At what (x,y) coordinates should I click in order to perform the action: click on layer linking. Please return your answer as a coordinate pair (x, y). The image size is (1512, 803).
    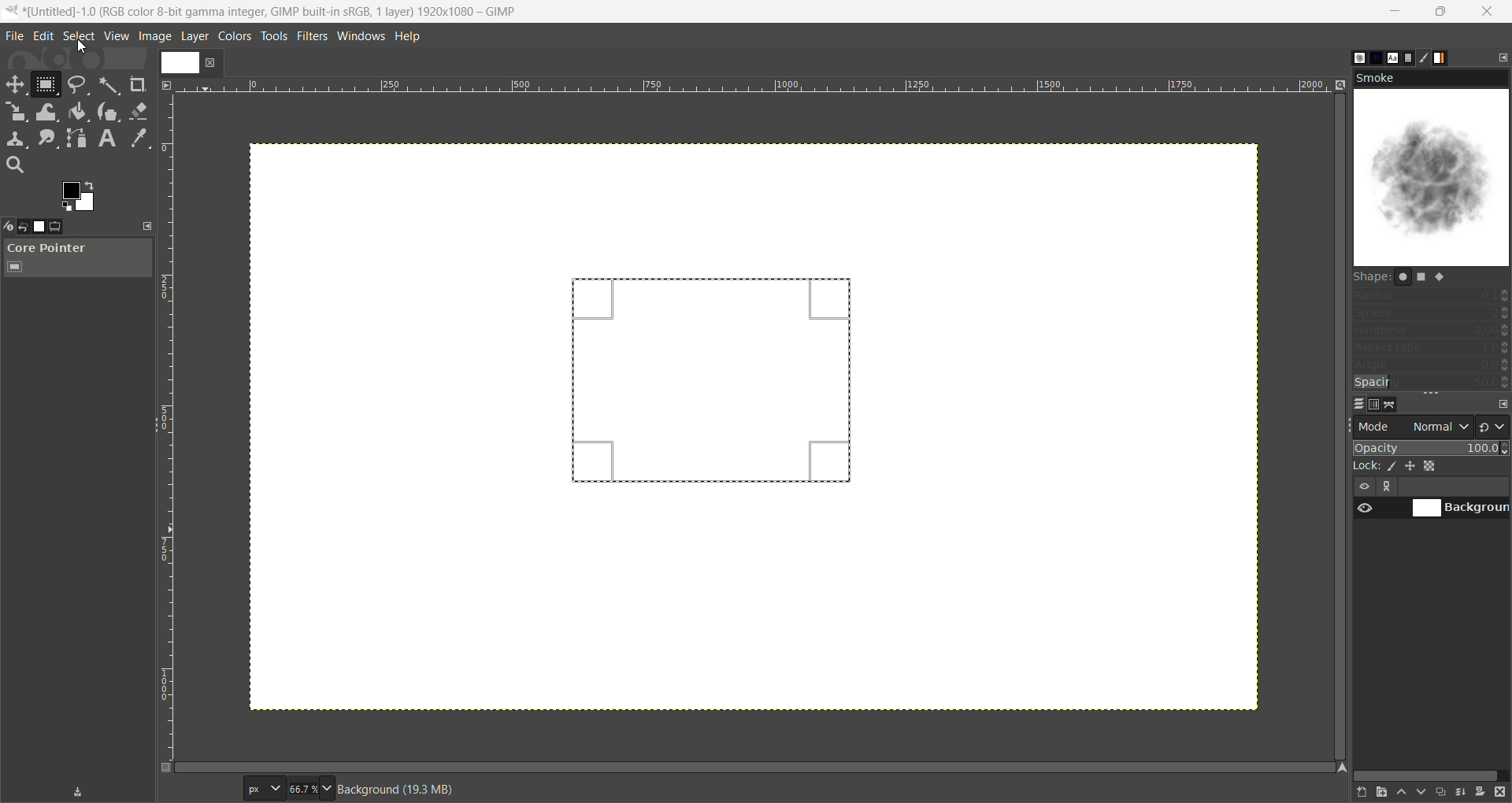
    Looking at the image, I should click on (1390, 487).